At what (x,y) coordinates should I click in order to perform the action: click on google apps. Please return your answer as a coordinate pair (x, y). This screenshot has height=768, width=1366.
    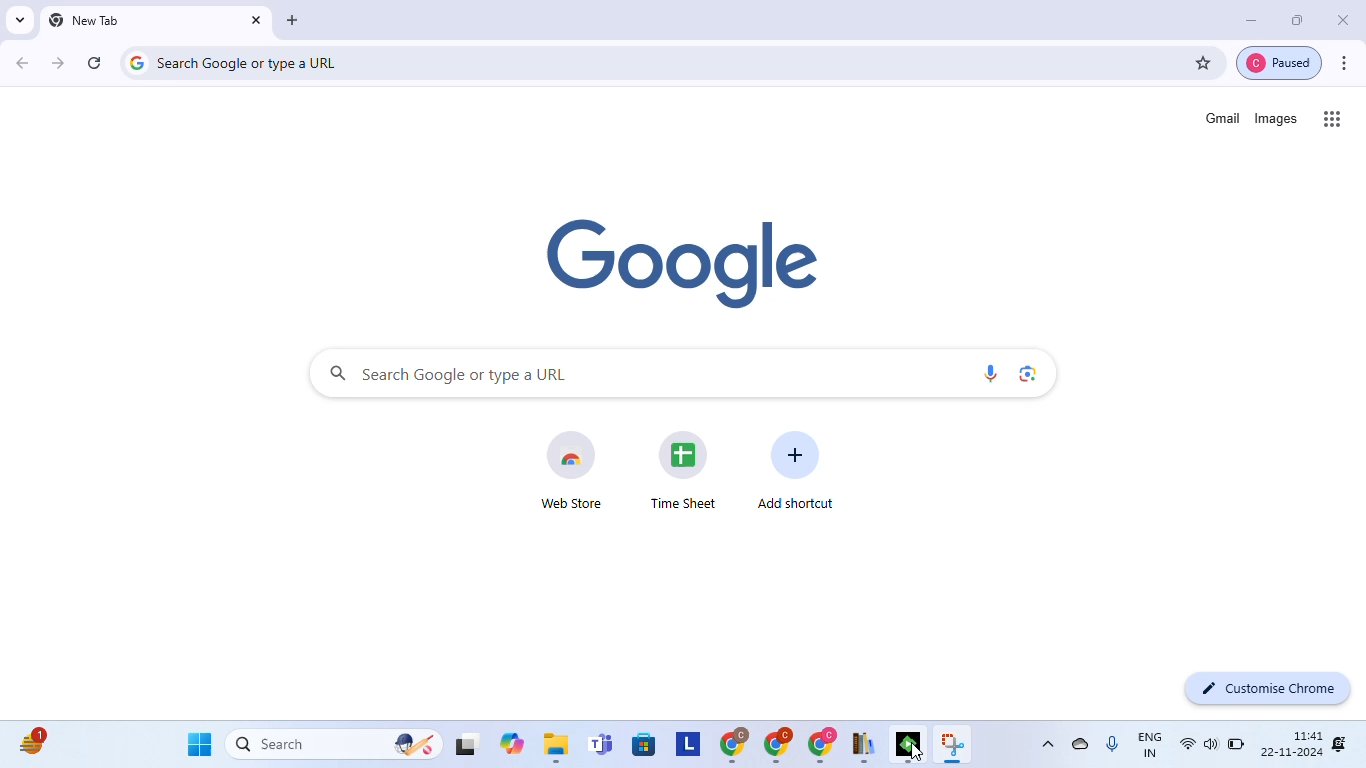
    Looking at the image, I should click on (1333, 121).